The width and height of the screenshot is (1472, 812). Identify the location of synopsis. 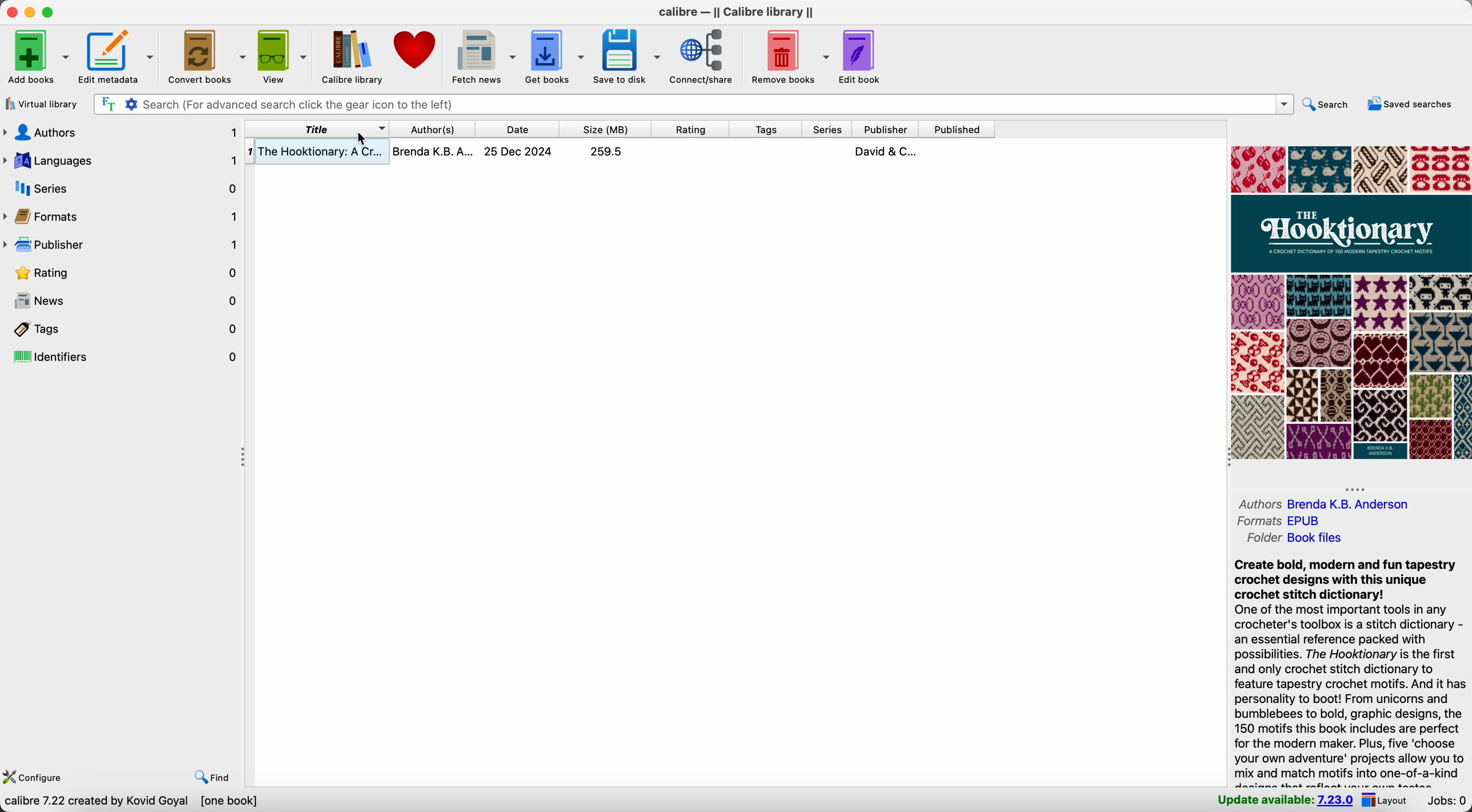
(1348, 670).